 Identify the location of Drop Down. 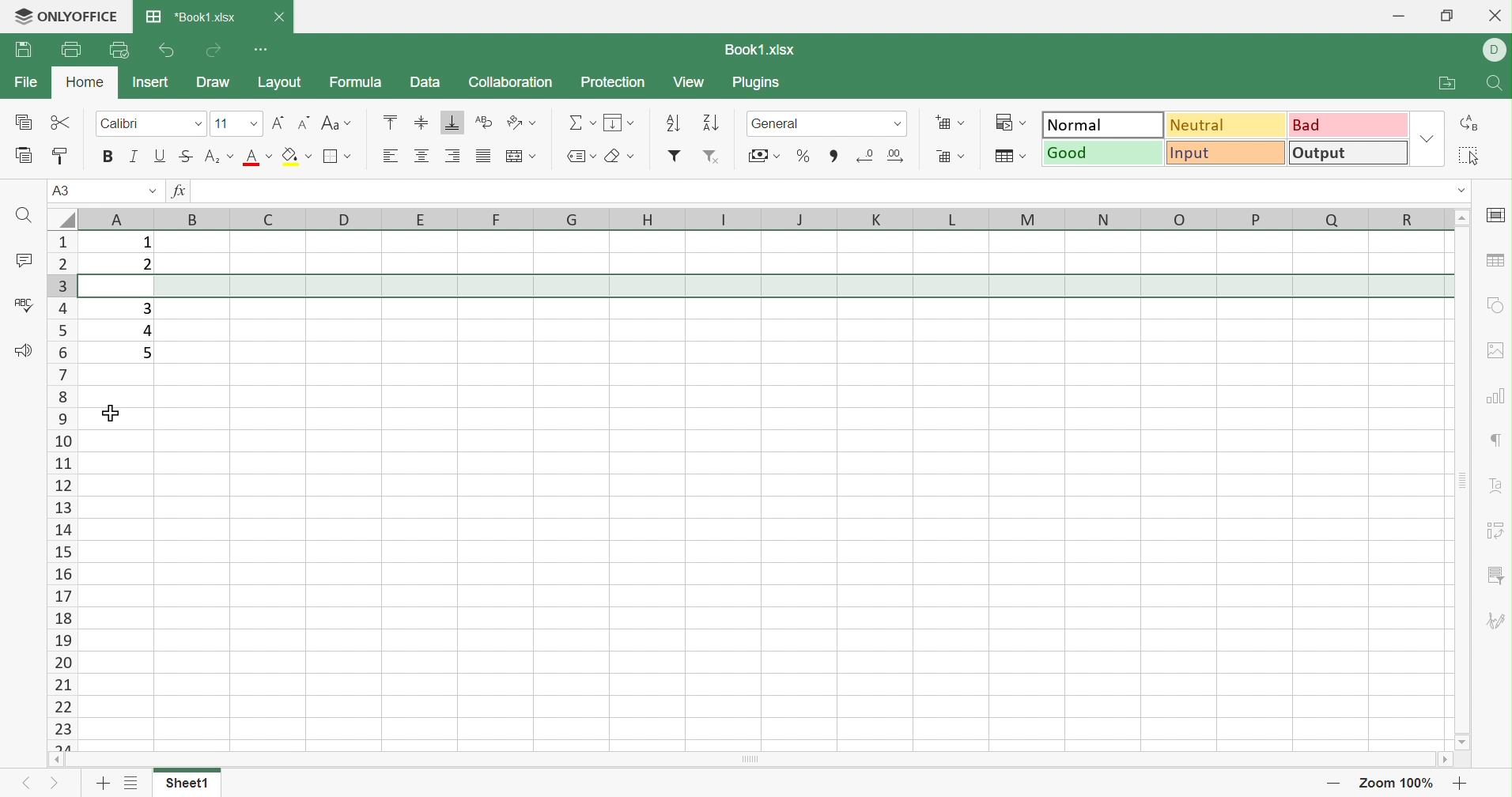
(1428, 138).